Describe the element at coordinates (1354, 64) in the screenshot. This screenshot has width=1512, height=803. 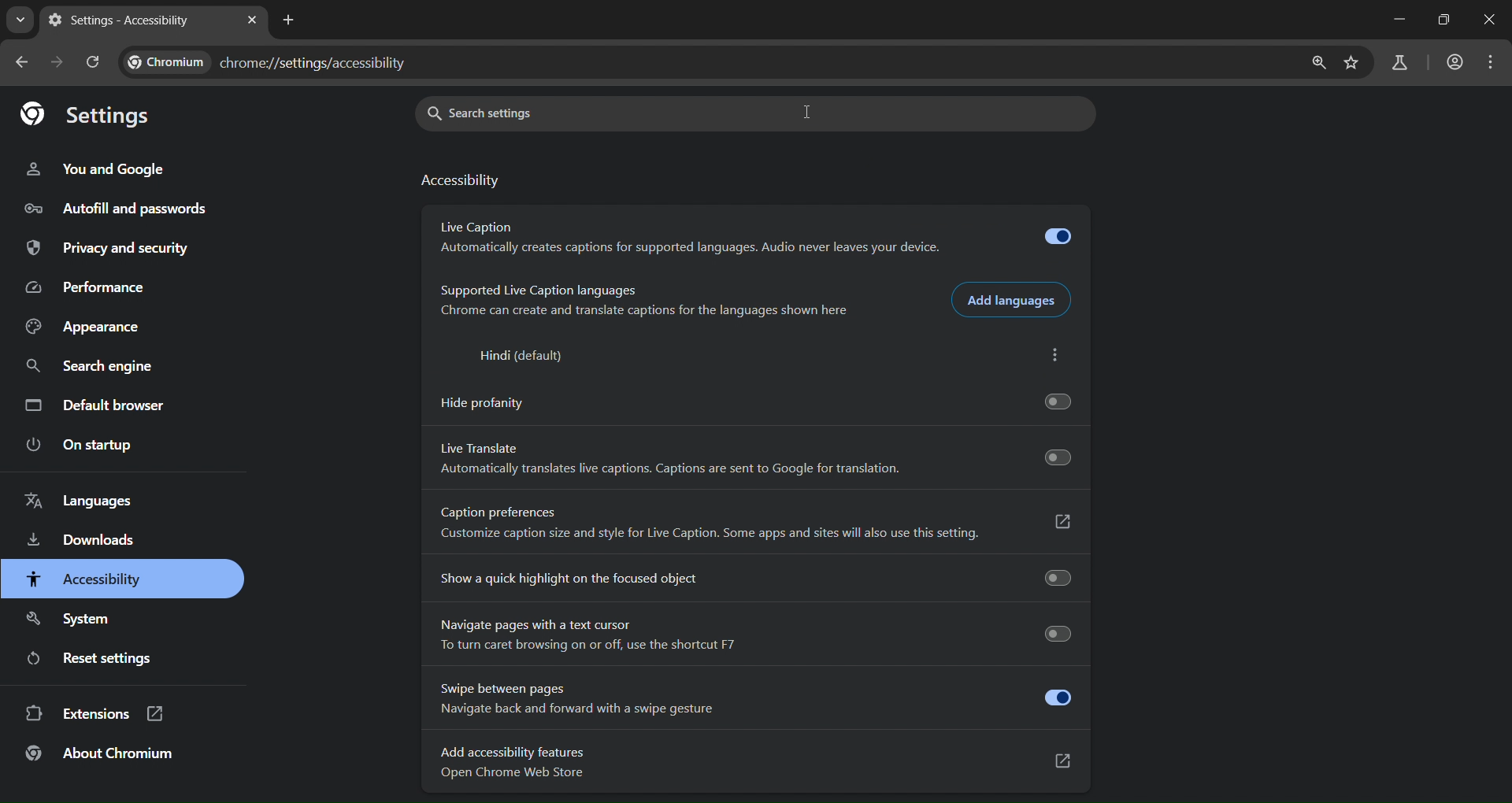
I see `bookmark page` at that location.